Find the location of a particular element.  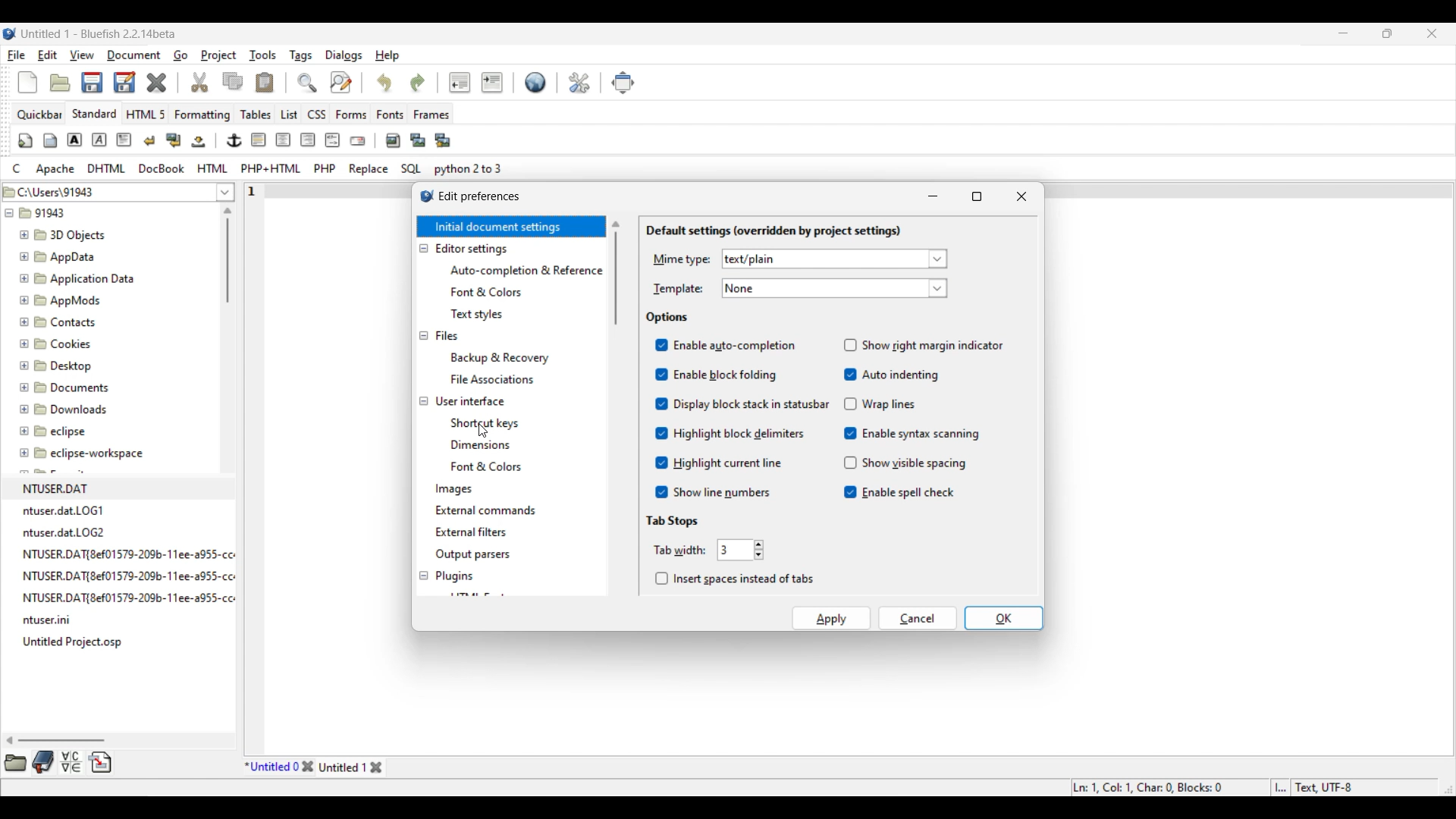

Maximize is located at coordinates (977, 196).